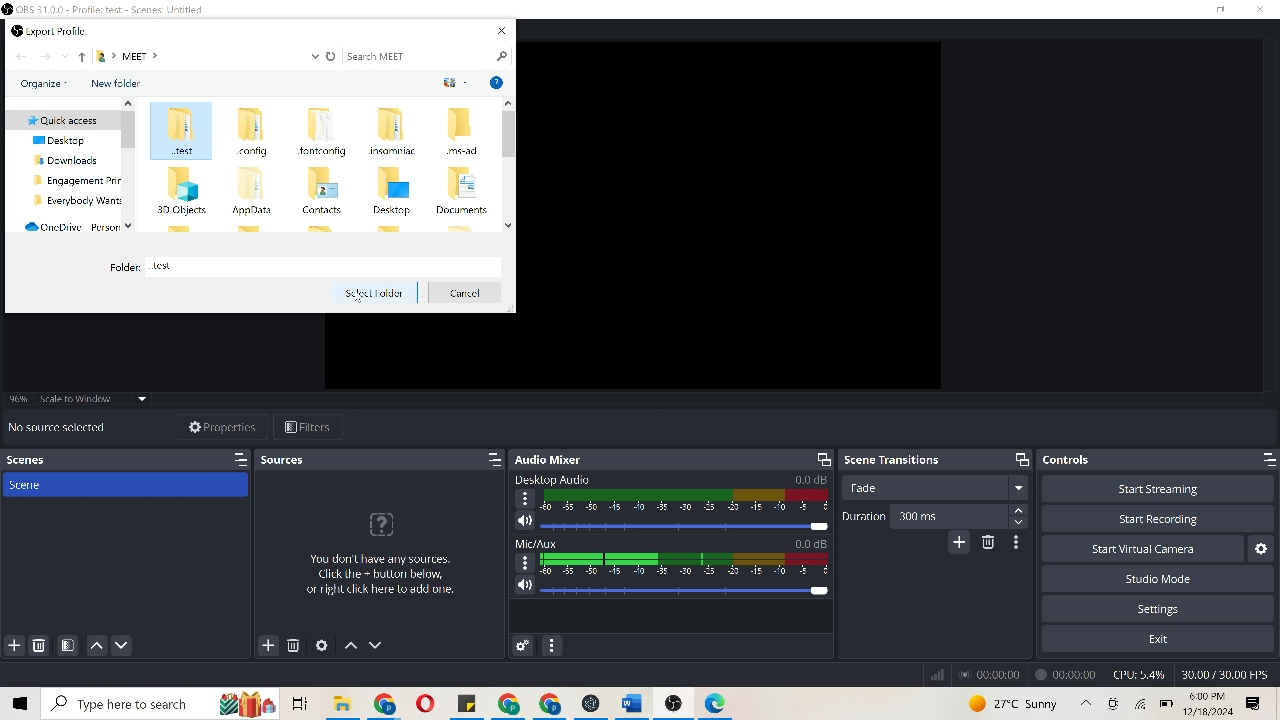 The width and height of the screenshot is (1280, 720). What do you see at coordinates (252, 192) in the screenshot?
I see `AppData` at bounding box center [252, 192].